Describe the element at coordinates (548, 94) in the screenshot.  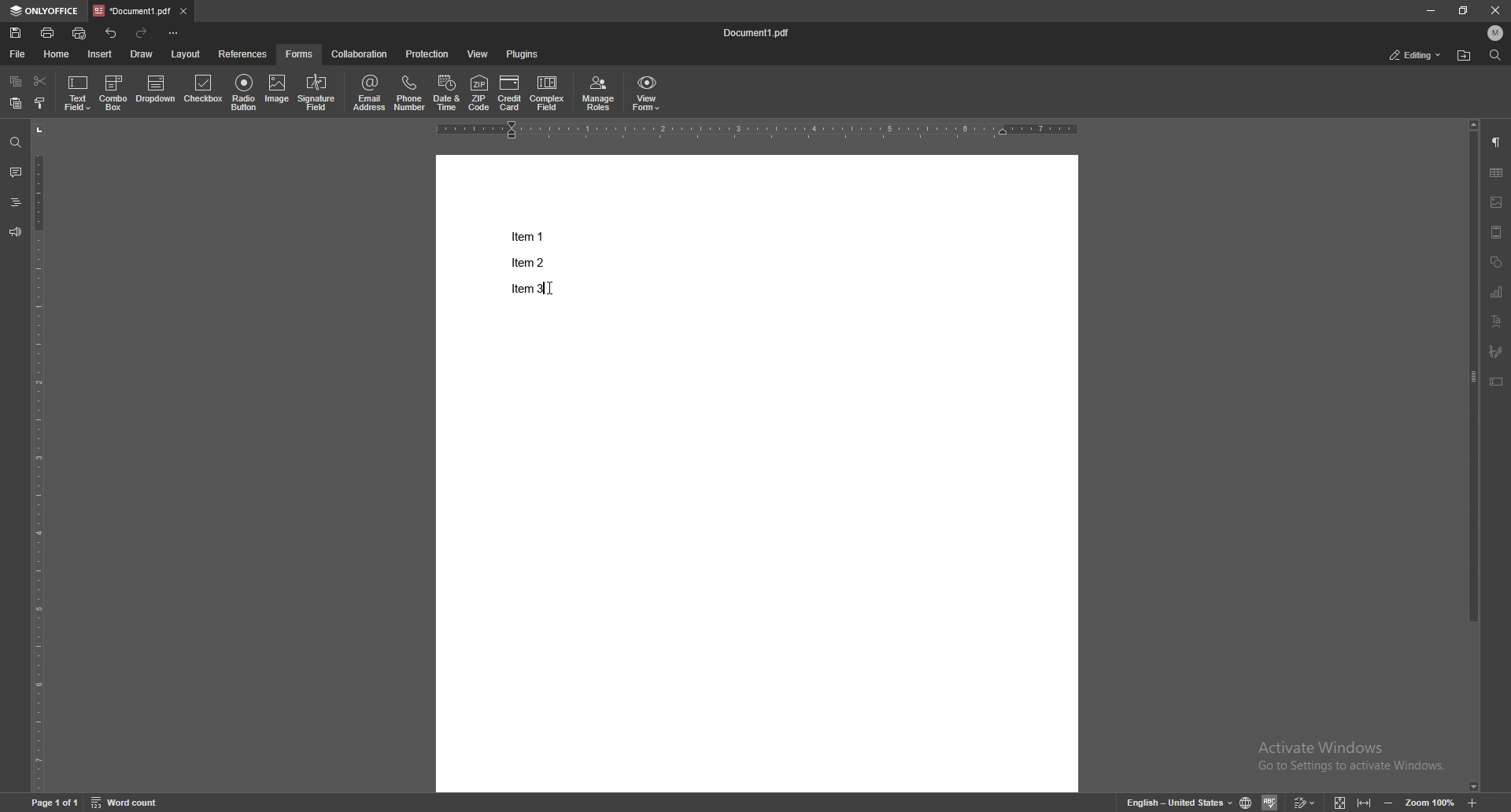
I see `complex field` at that location.